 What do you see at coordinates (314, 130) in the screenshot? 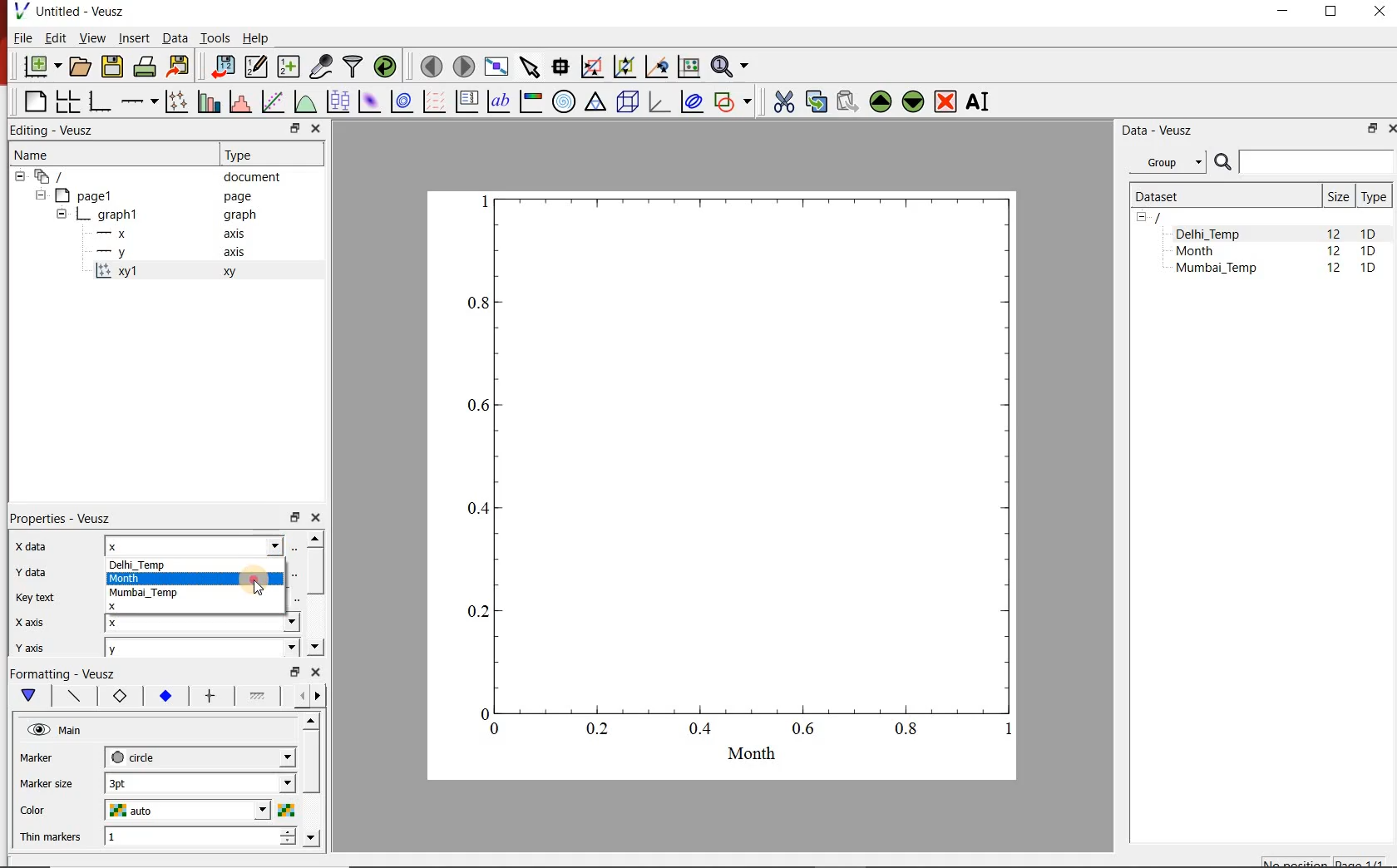
I see `close` at bounding box center [314, 130].